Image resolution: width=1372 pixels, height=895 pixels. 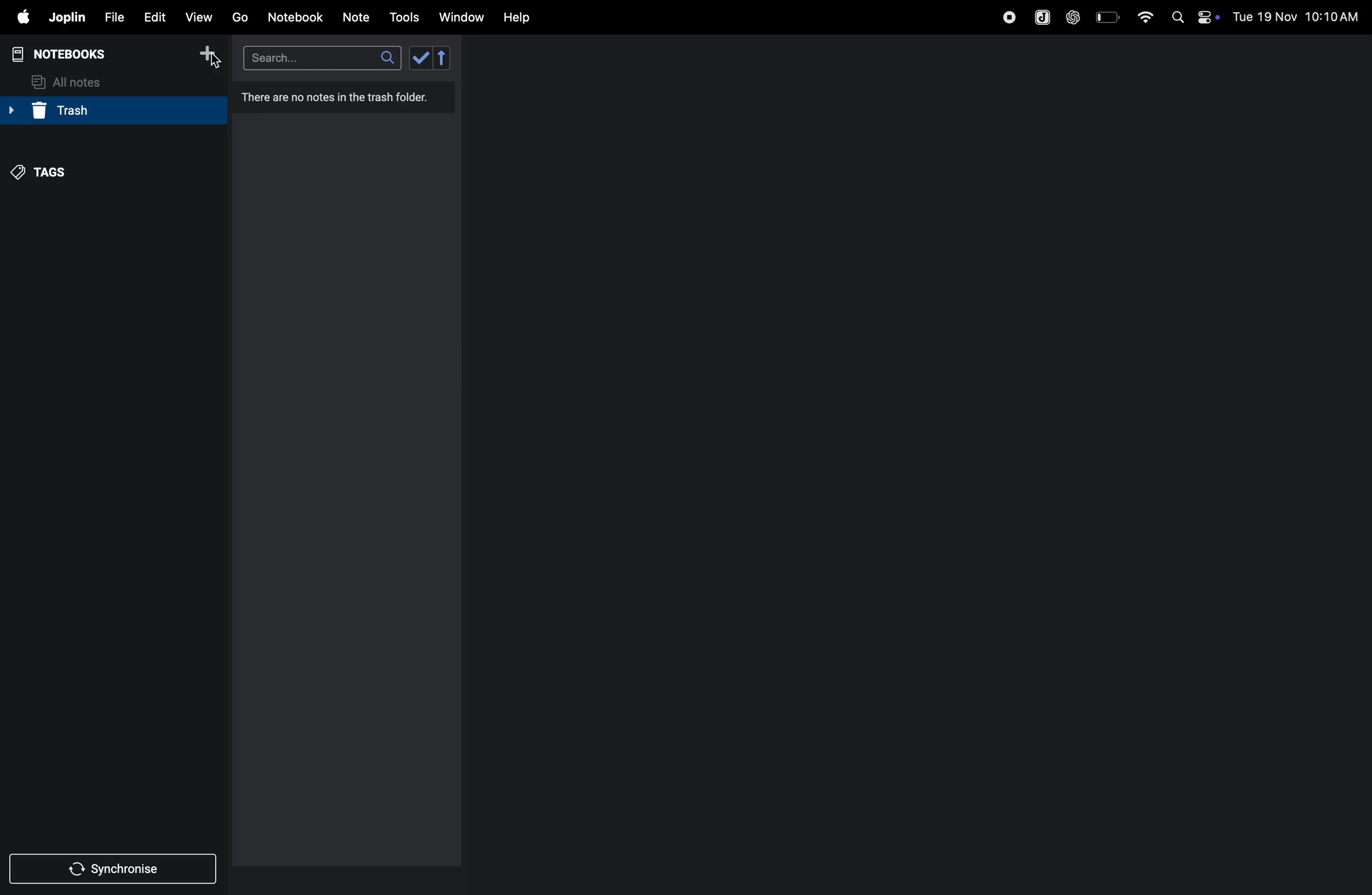 What do you see at coordinates (66, 52) in the screenshot?
I see `notebooks` at bounding box center [66, 52].